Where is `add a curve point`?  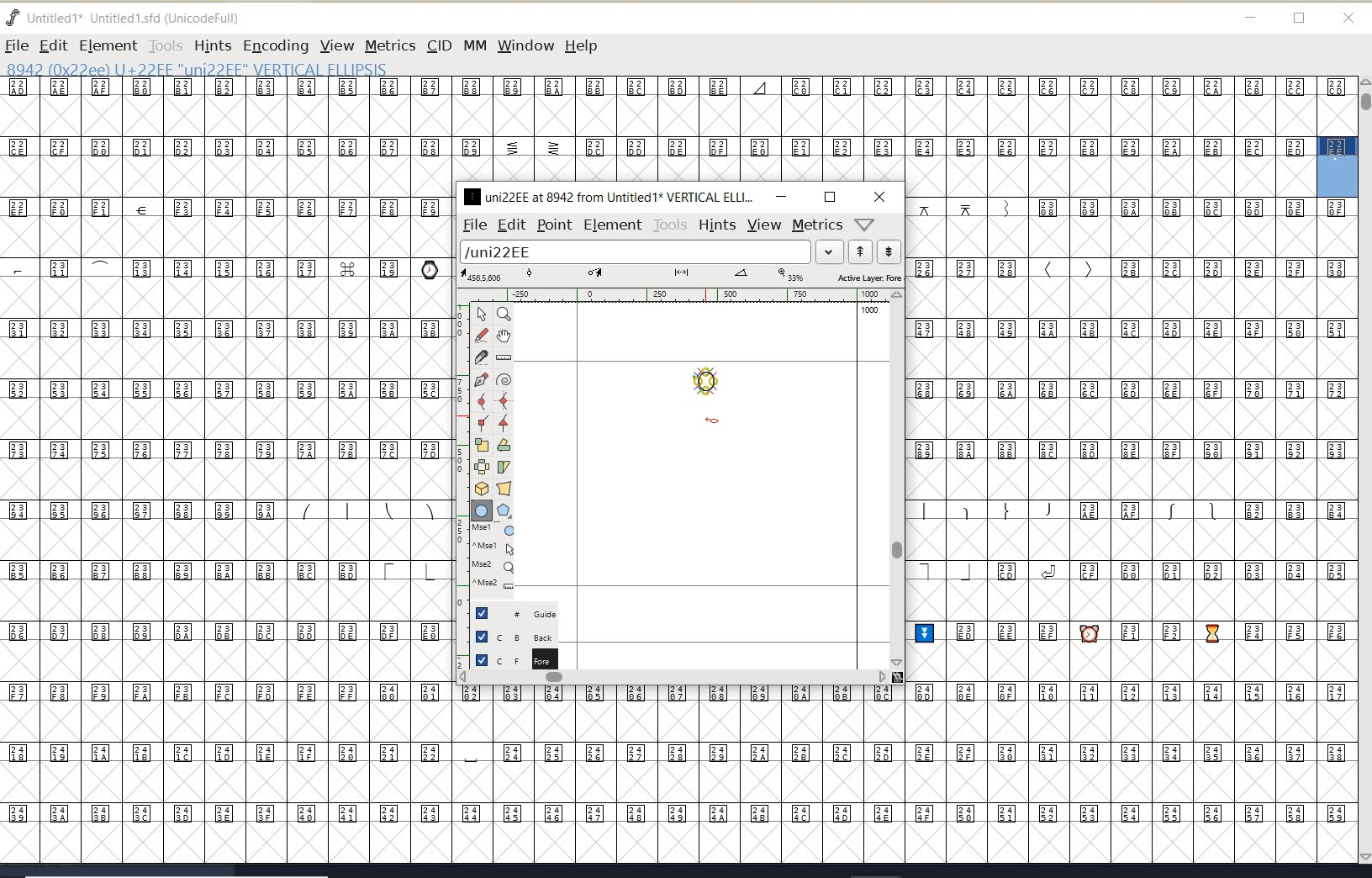 add a curve point is located at coordinates (485, 401).